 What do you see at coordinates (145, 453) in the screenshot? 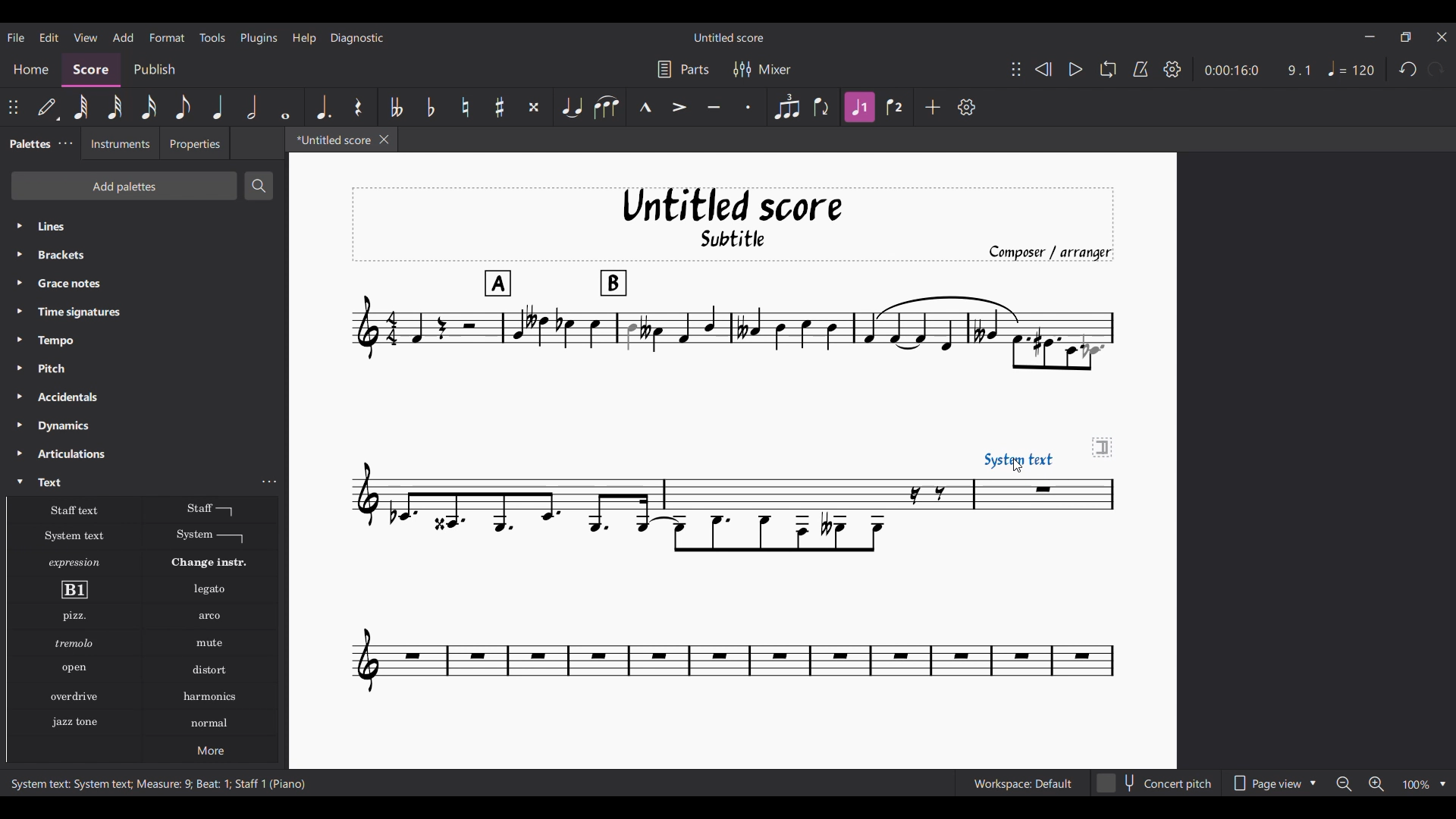
I see `Articulations` at bounding box center [145, 453].